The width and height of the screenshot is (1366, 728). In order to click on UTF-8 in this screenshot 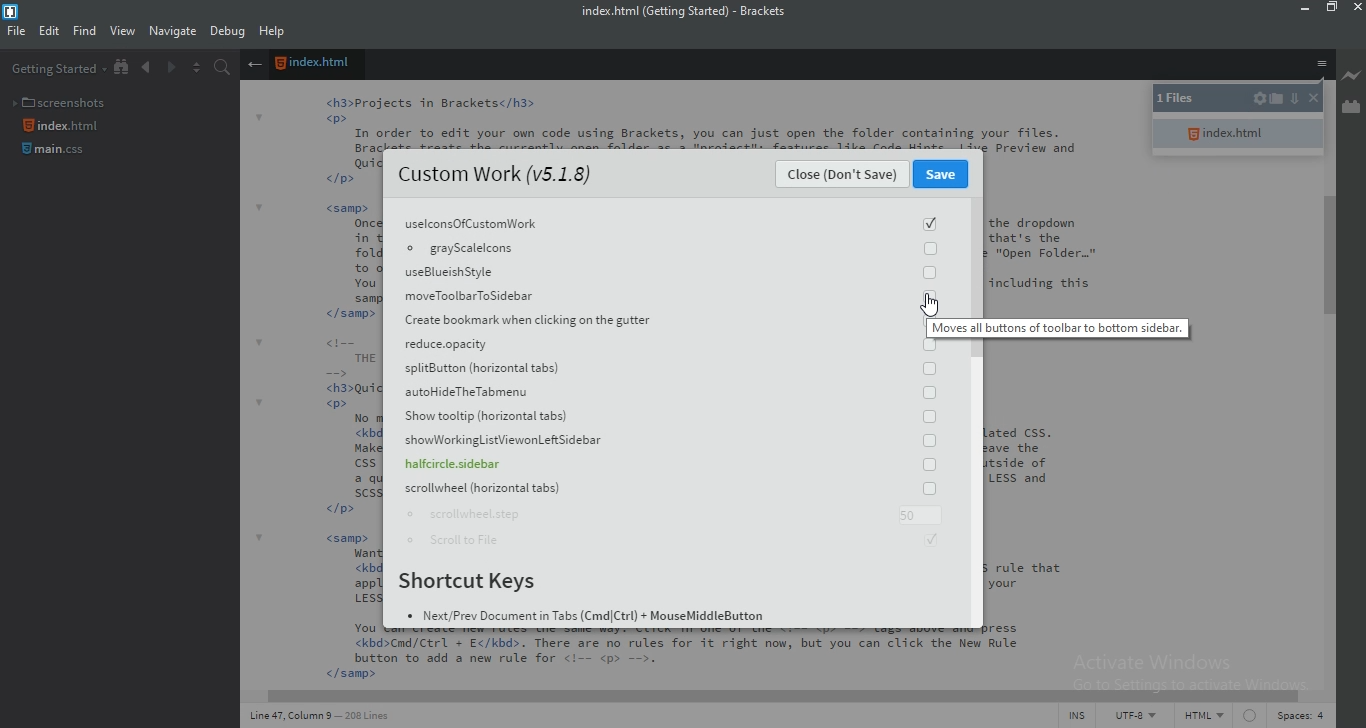, I will do `click(1137, 716)`.